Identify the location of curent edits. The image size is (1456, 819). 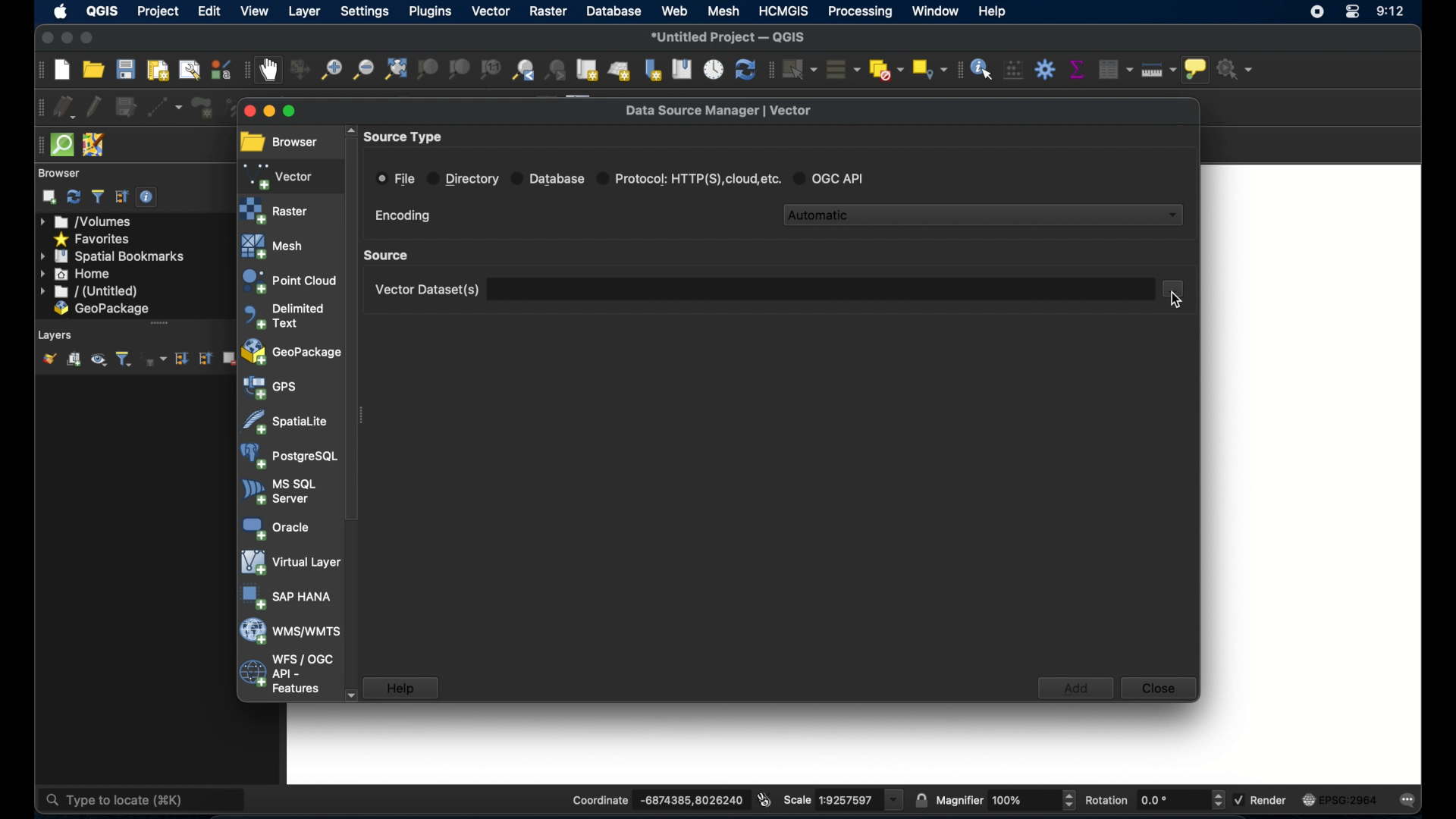
(65, 107).